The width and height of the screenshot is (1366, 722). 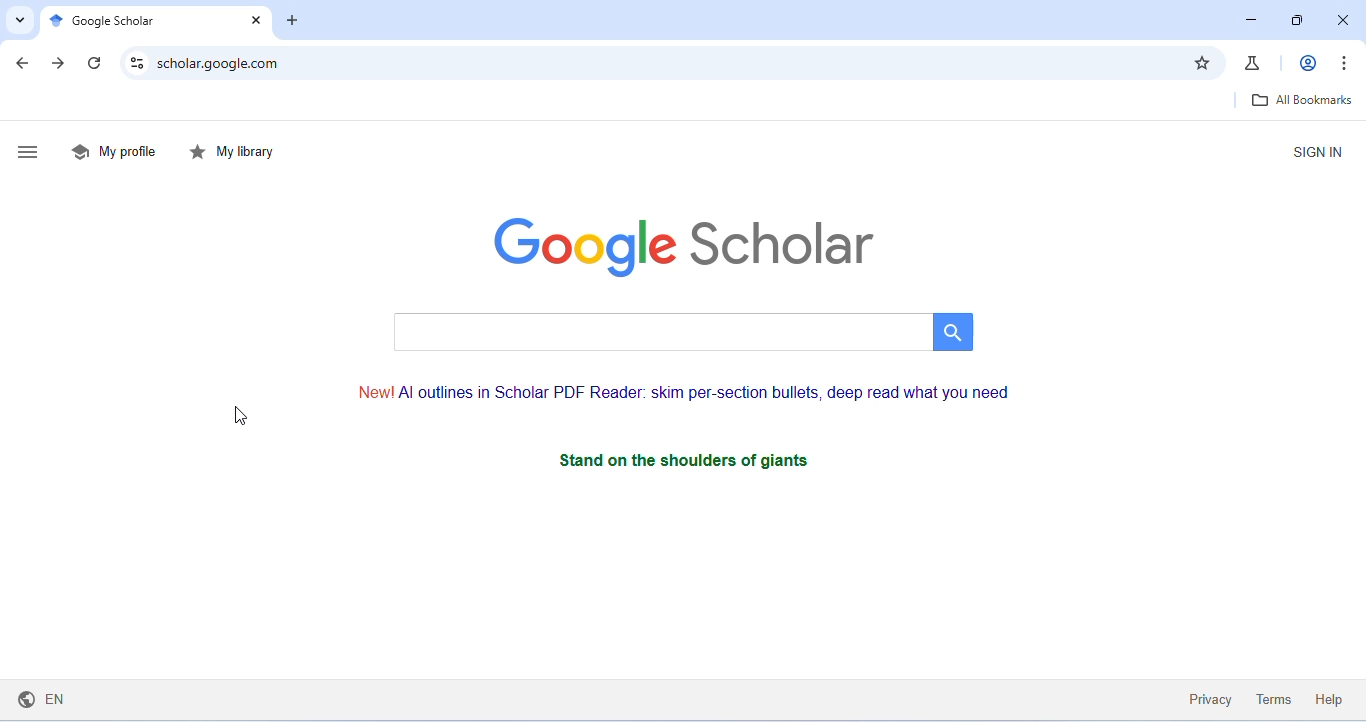 What do you see at coordinates (1328, 699) in the screenshot?
I see `help` at bounding box center [1328, 699].